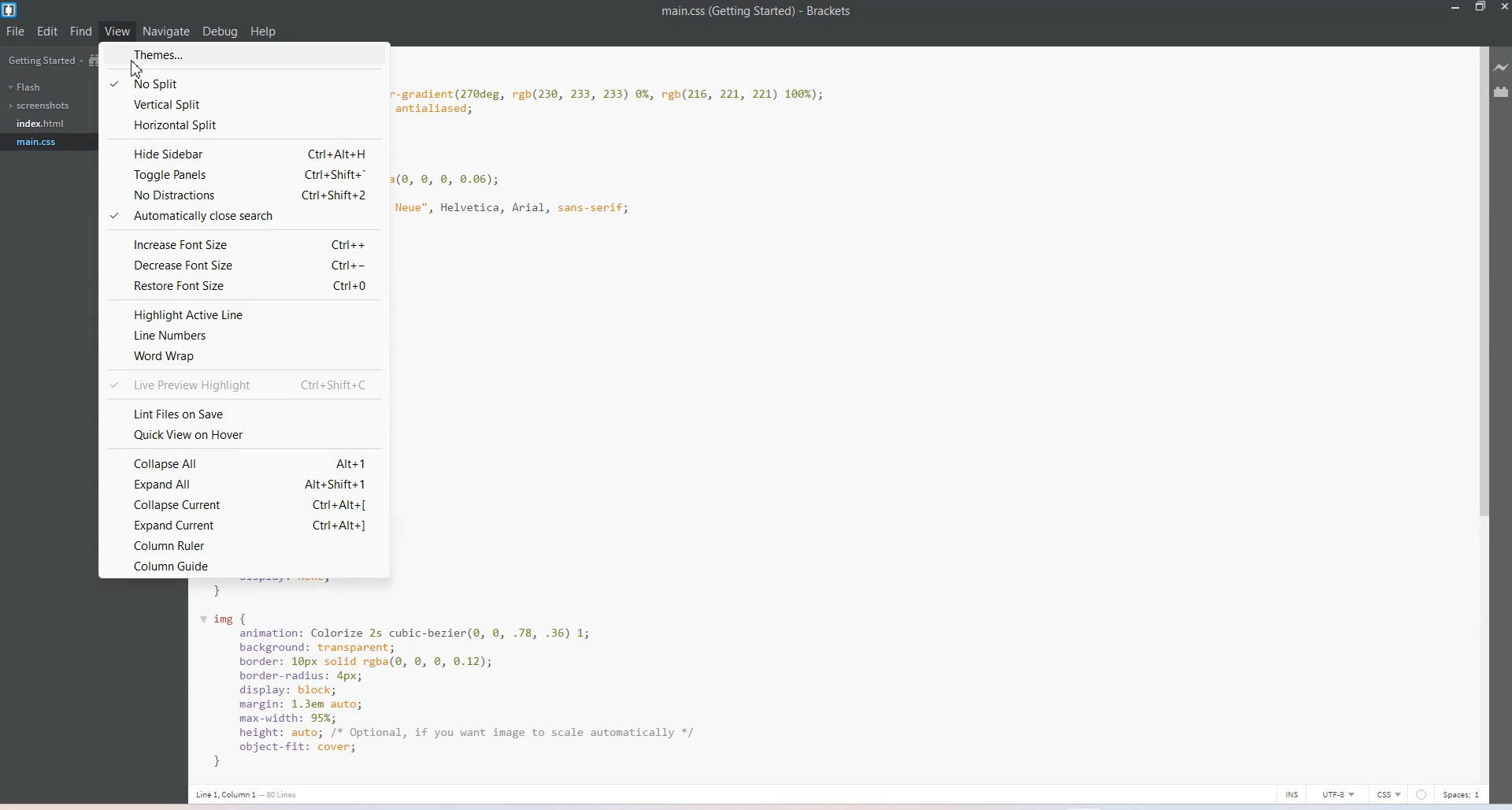 This screenshot has height=810, width=1512. What do you see at coordinates (242, 265) in the screenshot?
I see `Decrease Font Size` at bounding box center [242, 265].